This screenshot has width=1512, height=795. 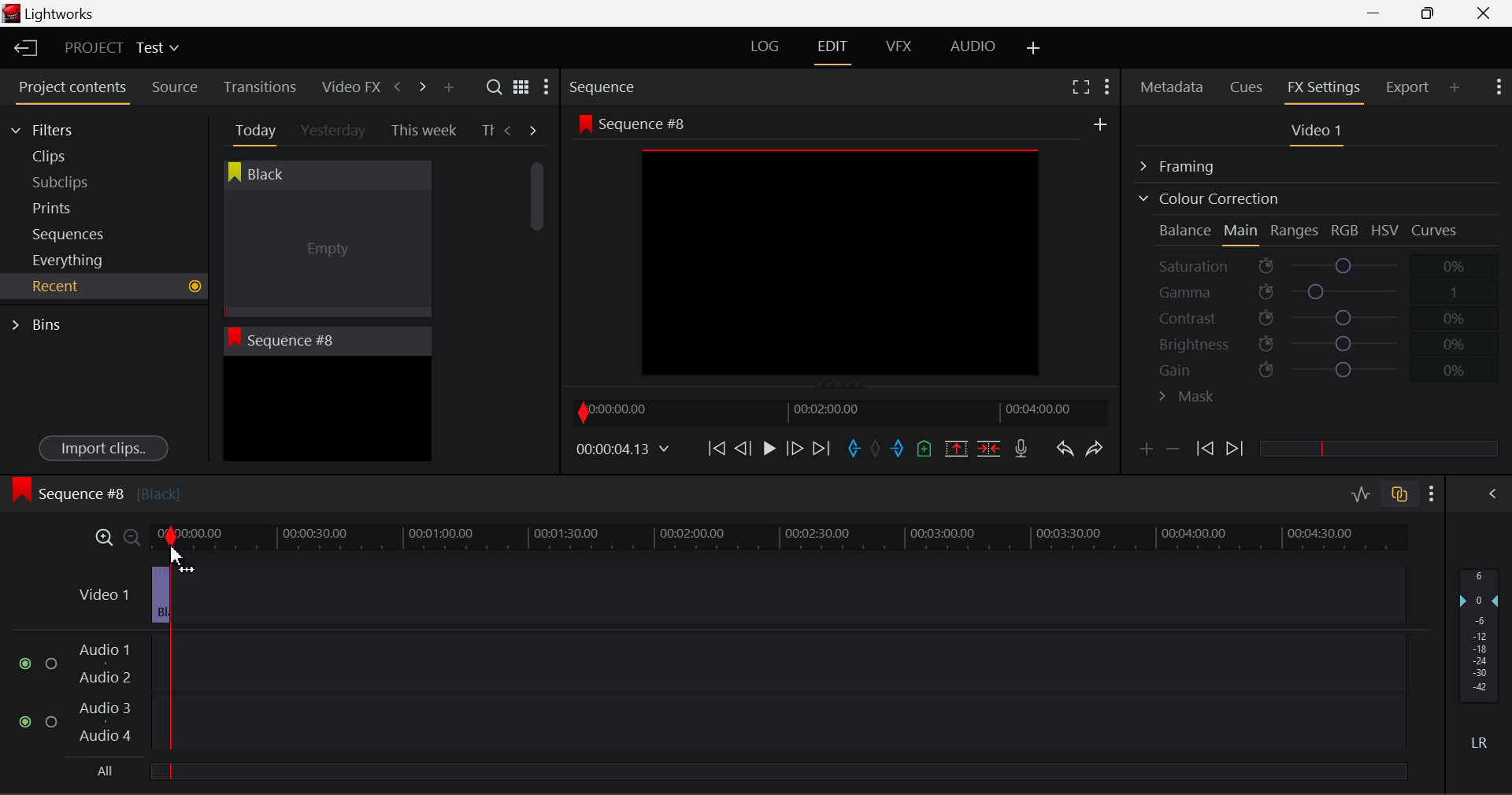 What do you see at coordinates (1080, 86) in the screenshot?
I see `Full Screen` at bounding box center [1080, 86].